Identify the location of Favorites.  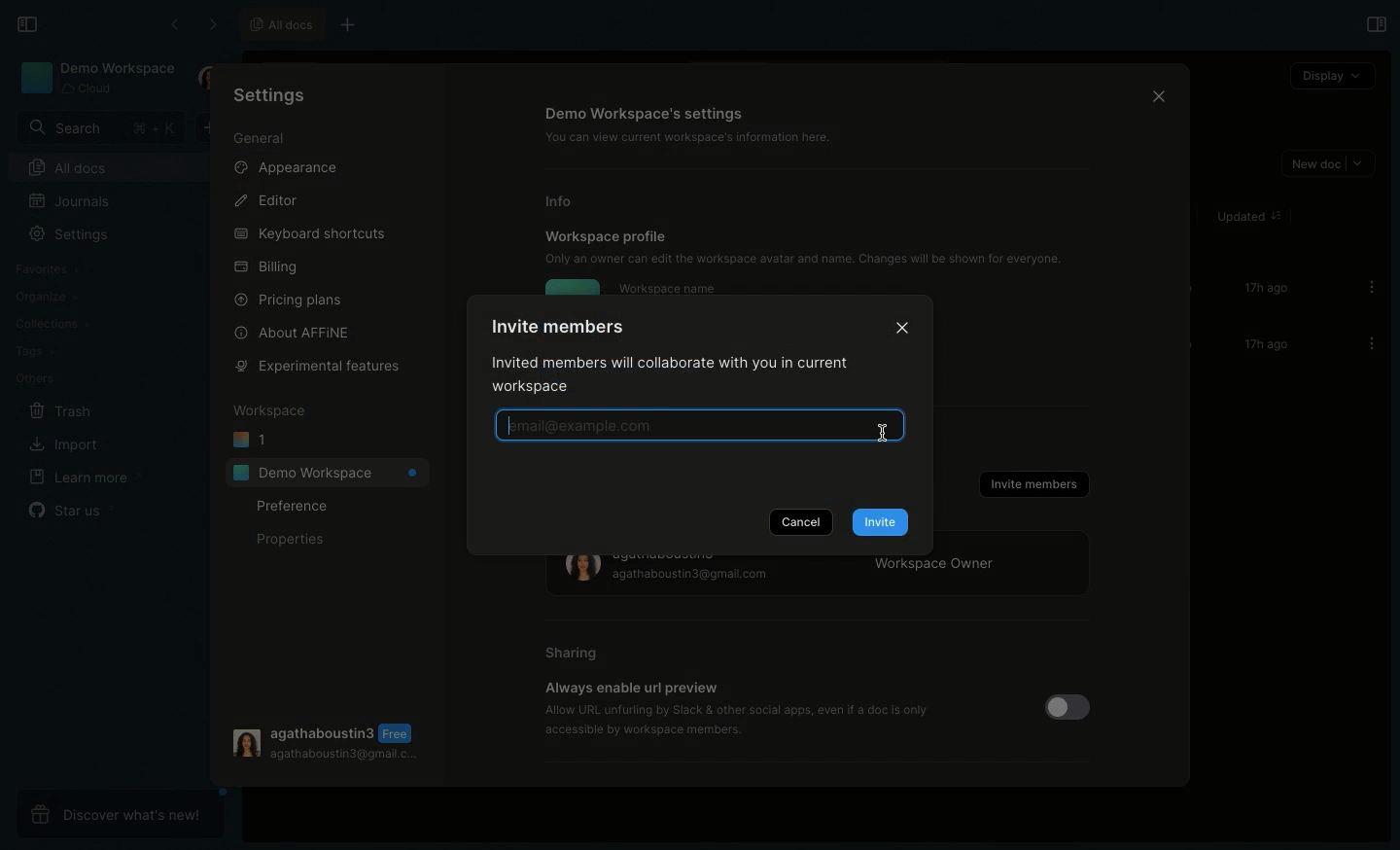
(52, 266).